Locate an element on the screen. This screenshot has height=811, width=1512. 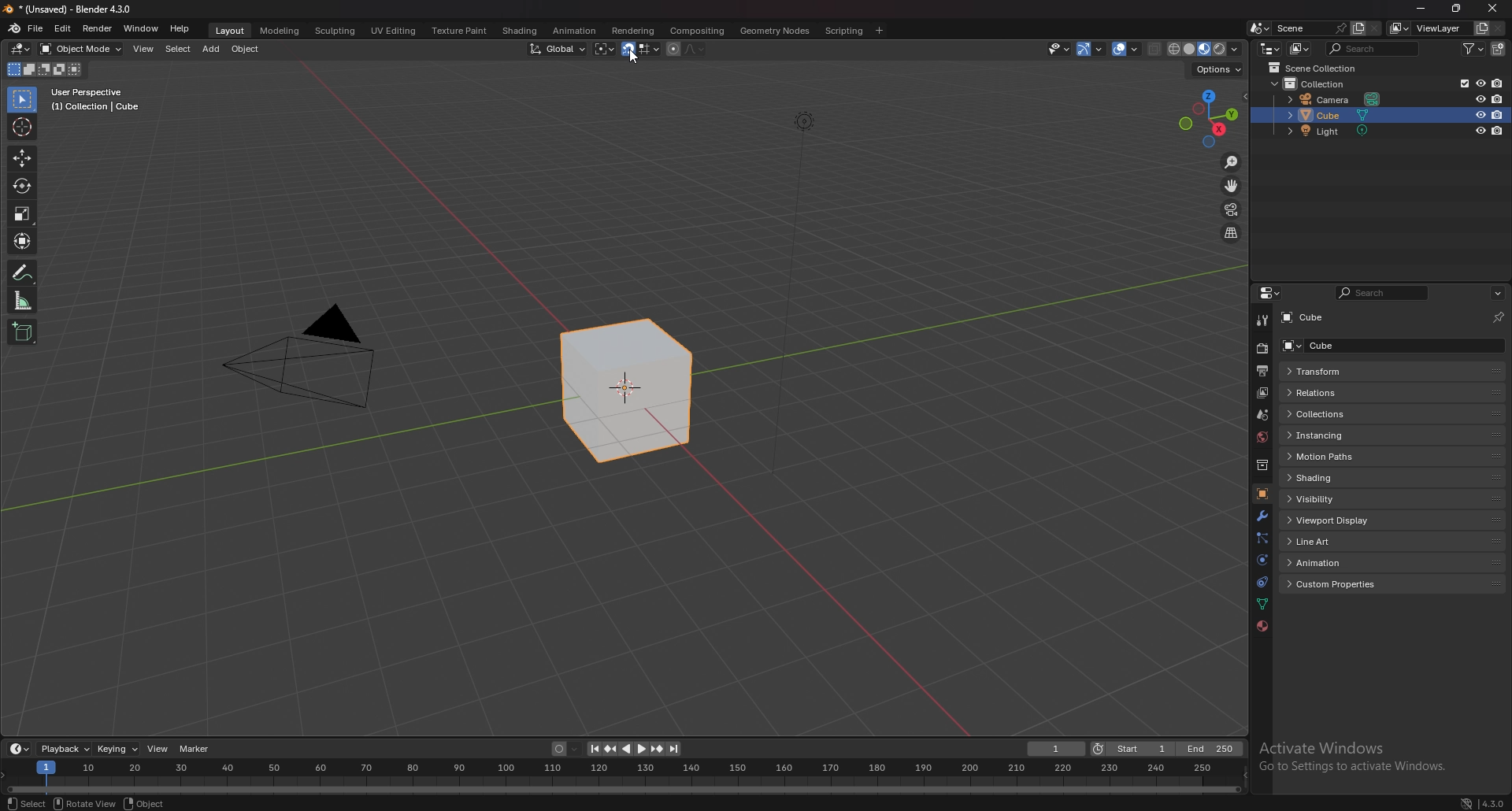
start is located at coordinates (1132, 749).